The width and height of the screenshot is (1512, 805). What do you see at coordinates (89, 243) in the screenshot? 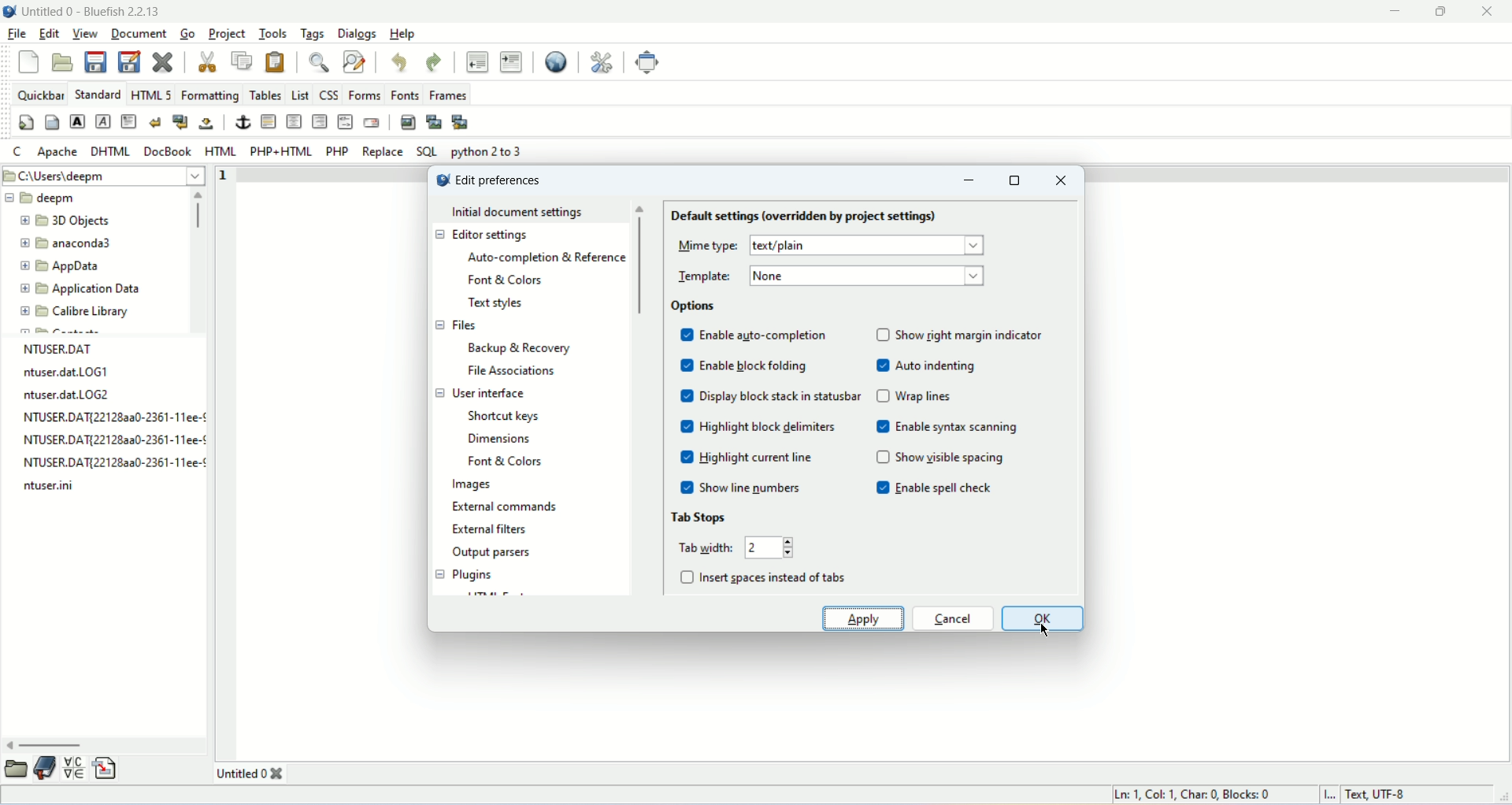
I see `anaconda3` at bounding box center [89, 243].